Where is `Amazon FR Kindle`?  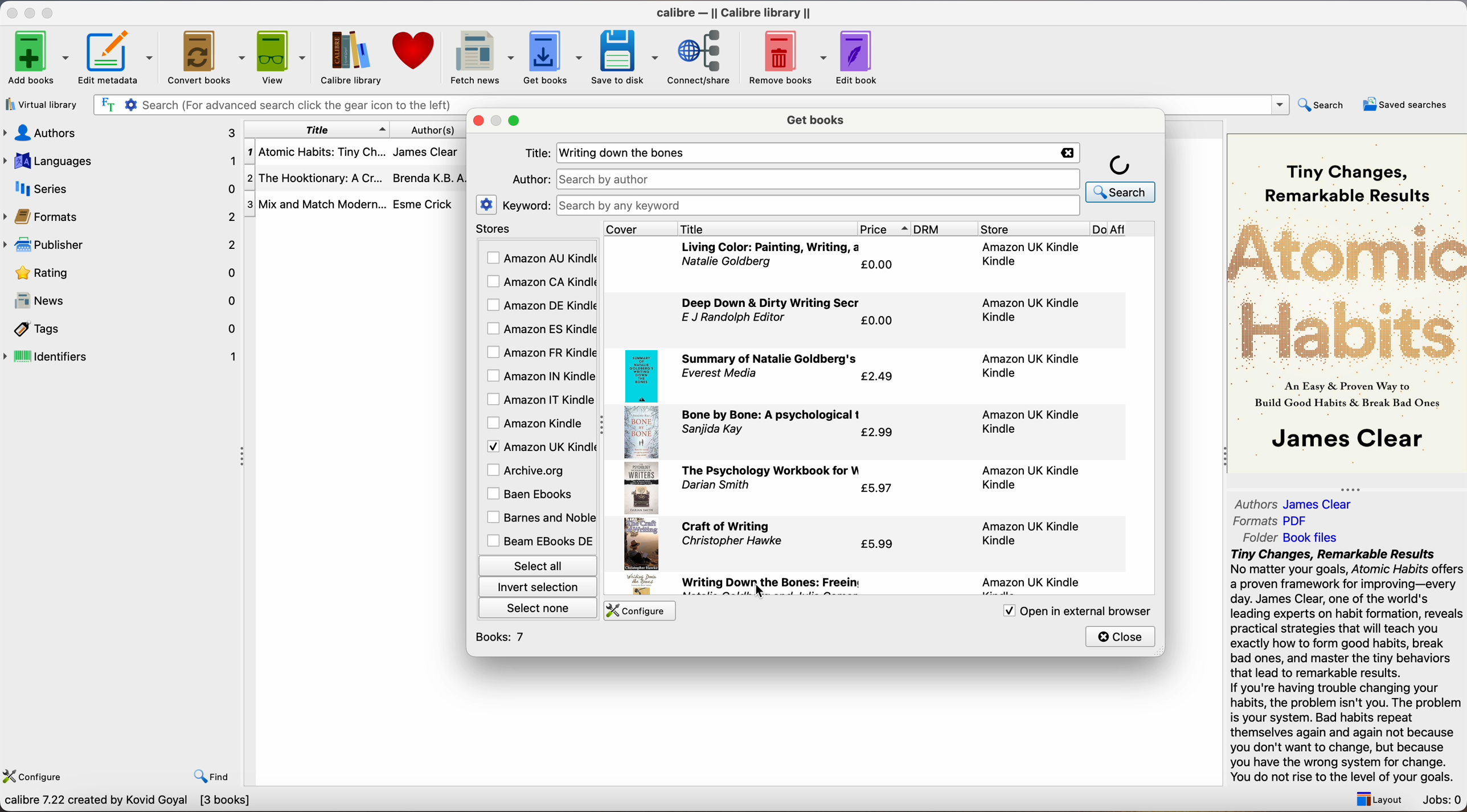
Amazon FR Kindle is located at coordinates (540, 351).